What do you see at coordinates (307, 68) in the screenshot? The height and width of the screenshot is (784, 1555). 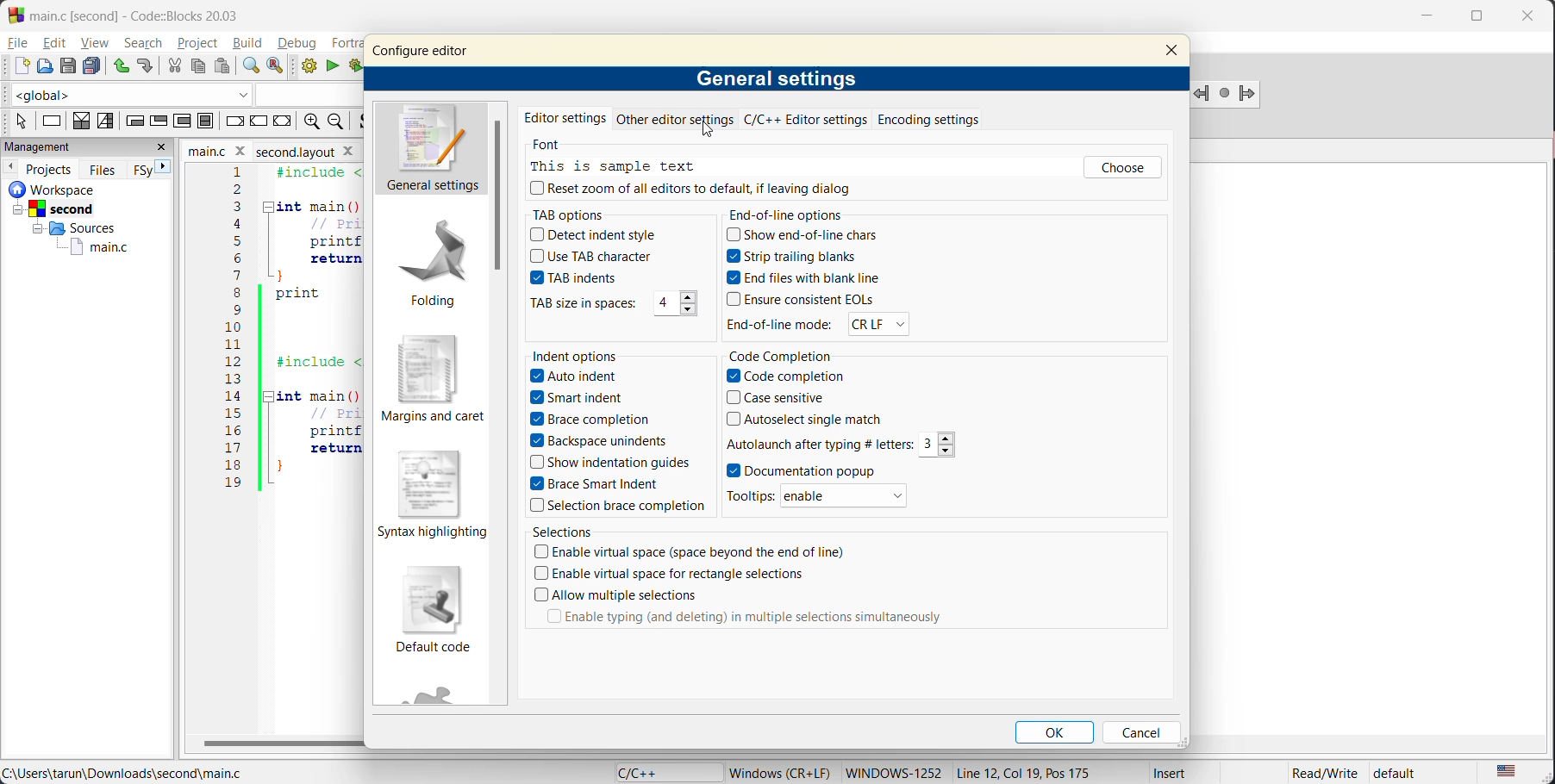 I see `build` at bounding box center [307, 68].